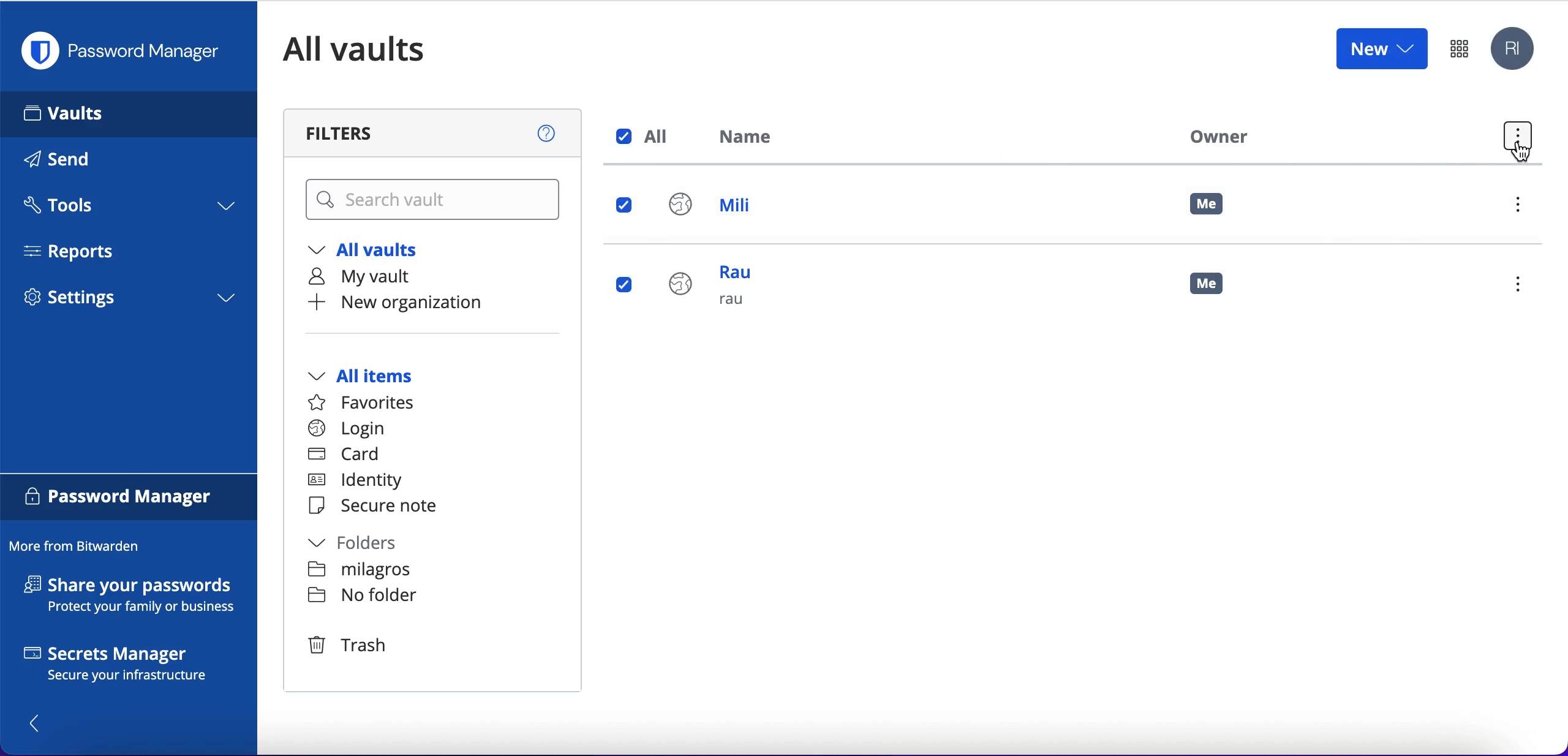 Image resolution: width=1568 pixels, height=756 pixels. What do you see at coordinates (347, 429) in the screenshot?
I see `login` at bounding box center [347, 429].